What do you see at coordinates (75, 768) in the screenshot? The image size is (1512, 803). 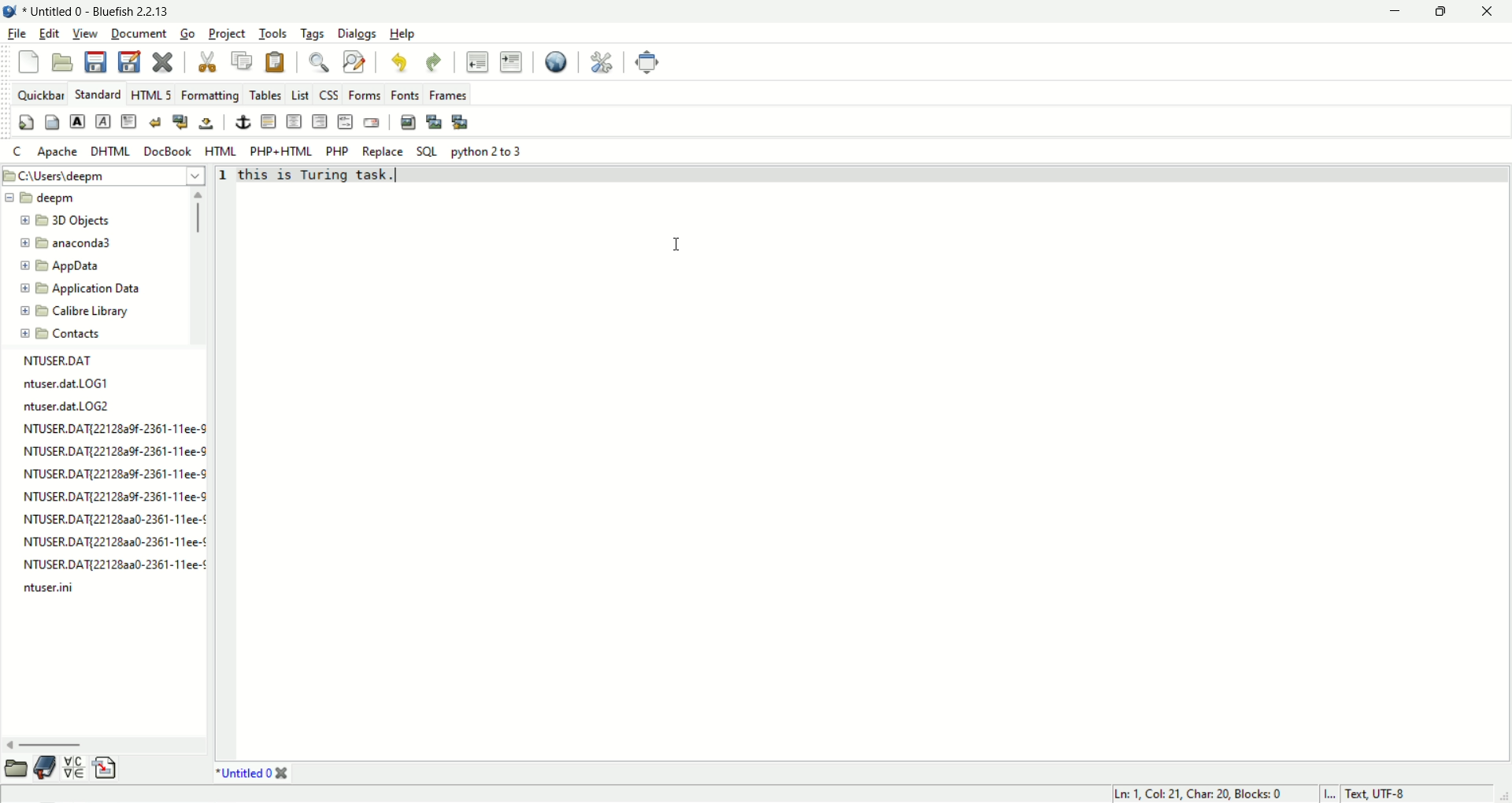 I see `char map` at bounding box center [75, 768].